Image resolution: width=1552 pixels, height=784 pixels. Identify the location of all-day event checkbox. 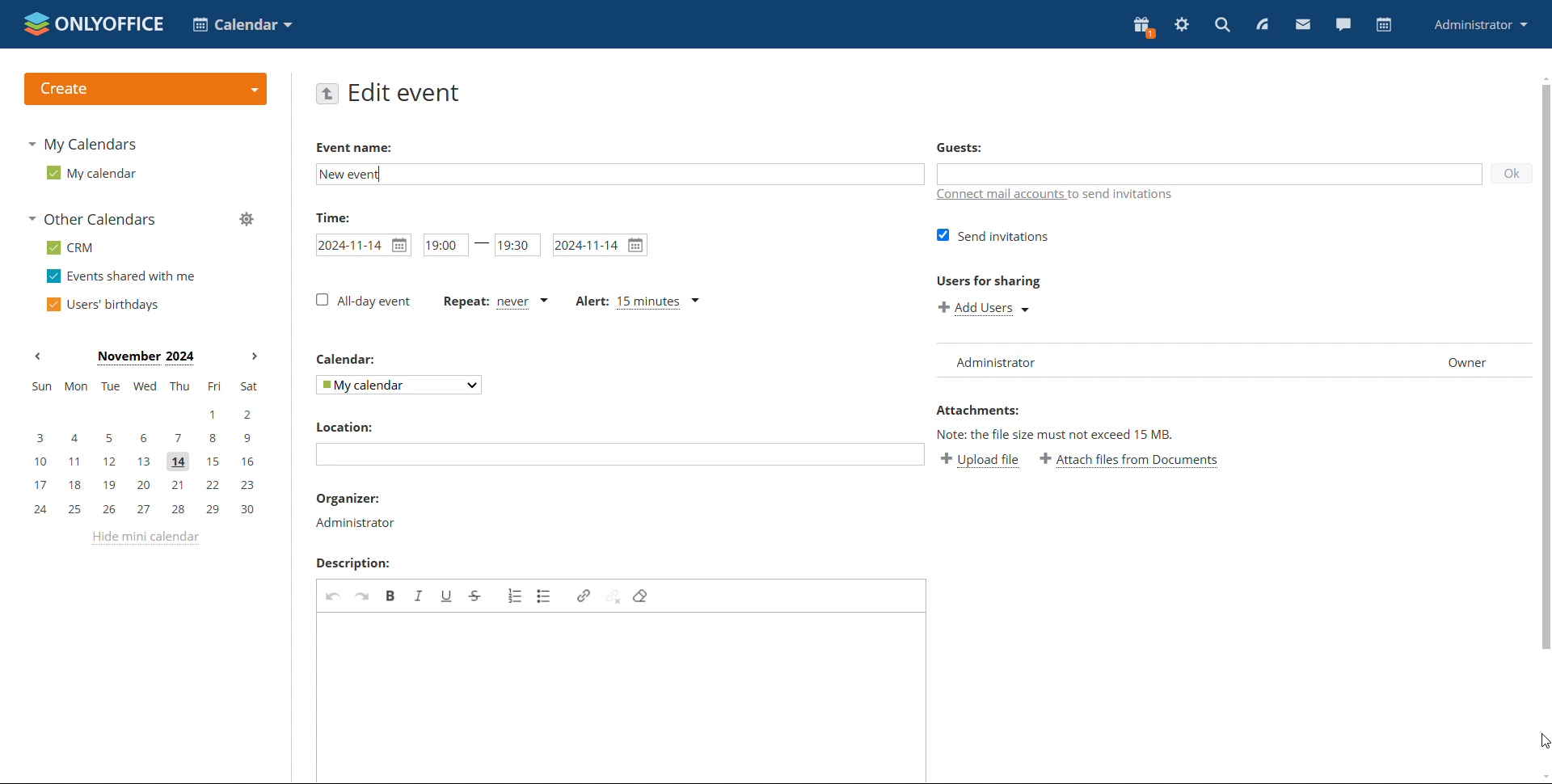
(363, 301).